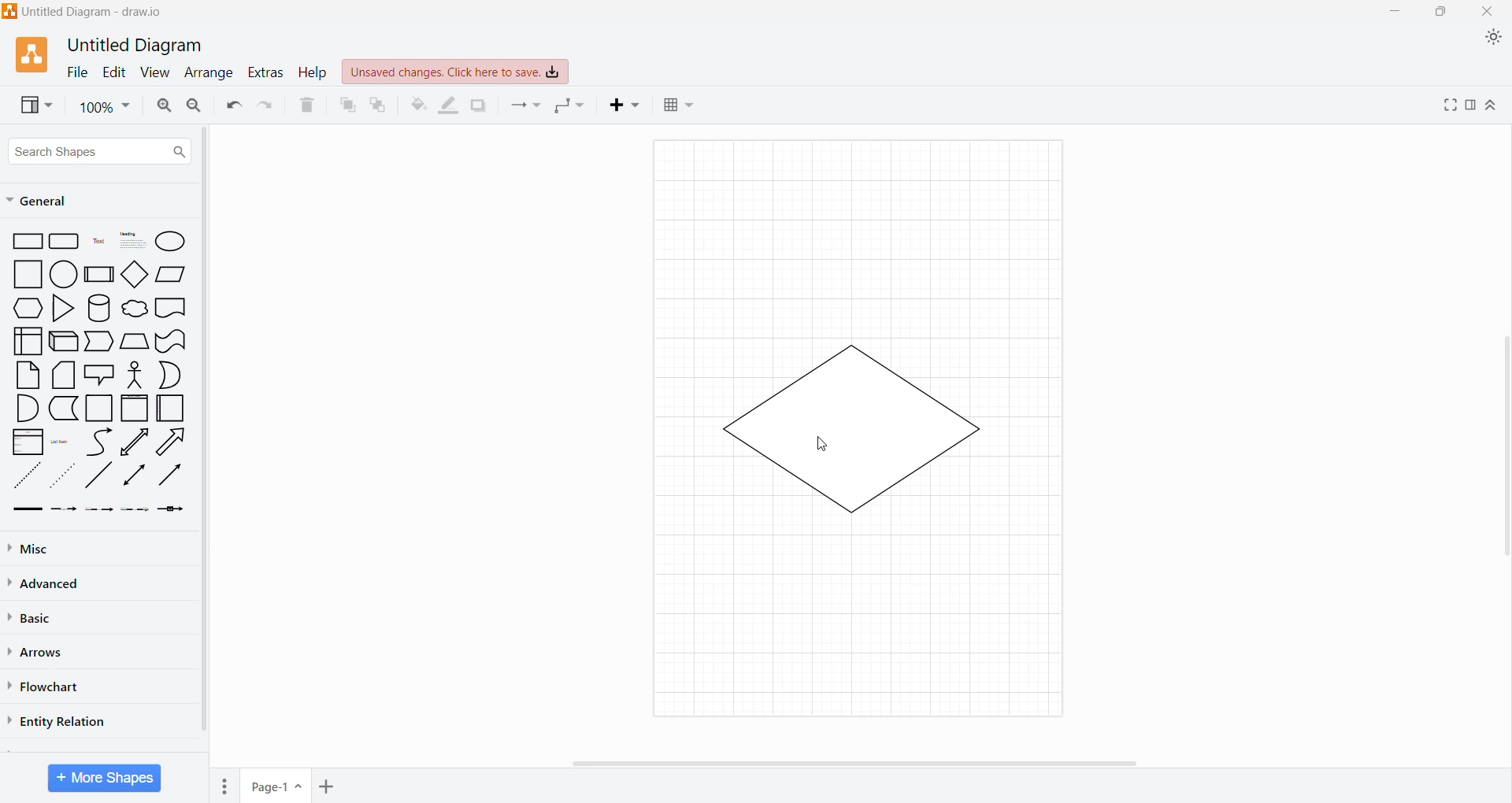  I want to click on Directional Connector, so click(173, 479).